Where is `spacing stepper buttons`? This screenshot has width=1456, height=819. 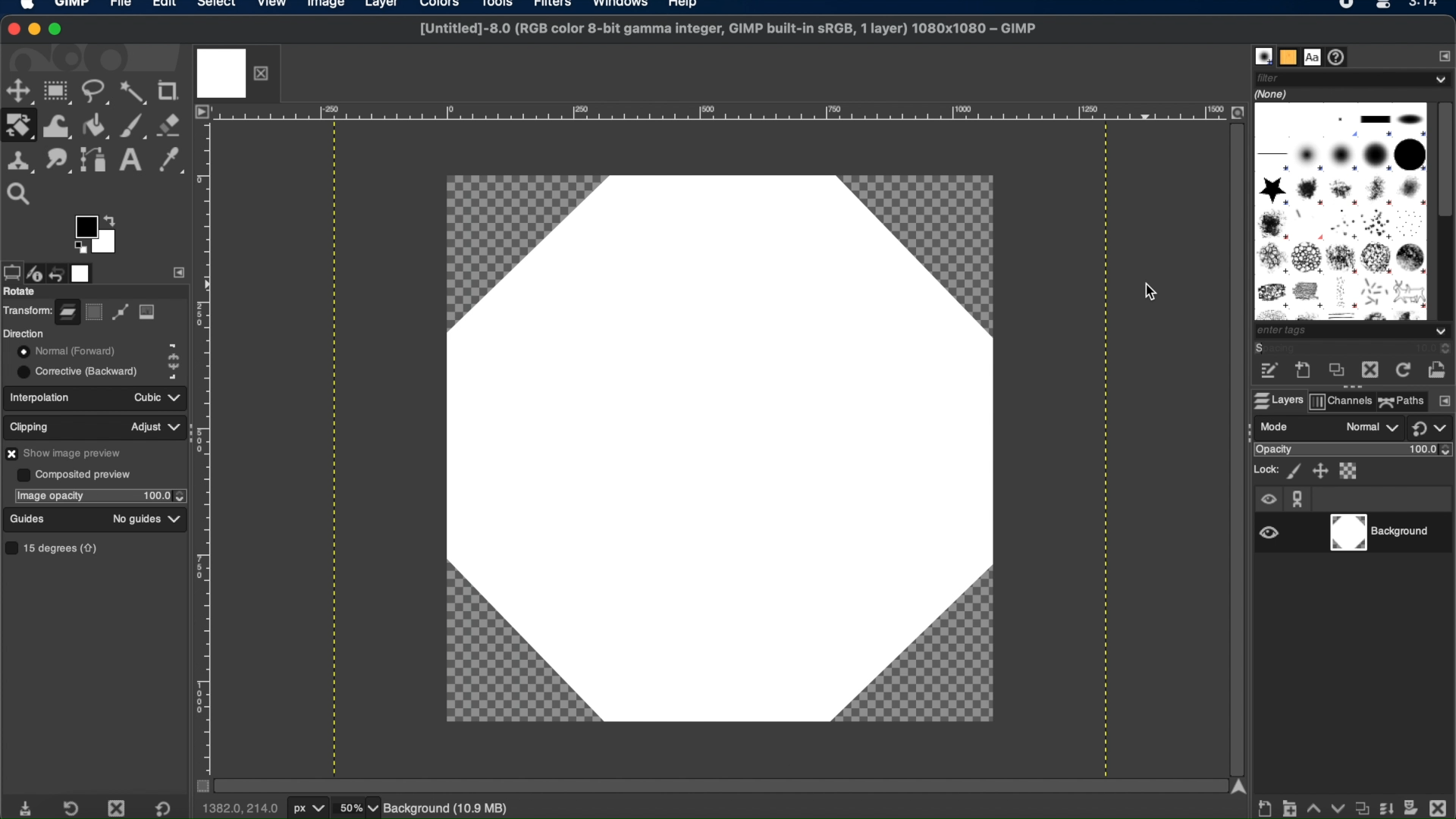
spacing stepper buttons is located at coordinates (1441, 349).